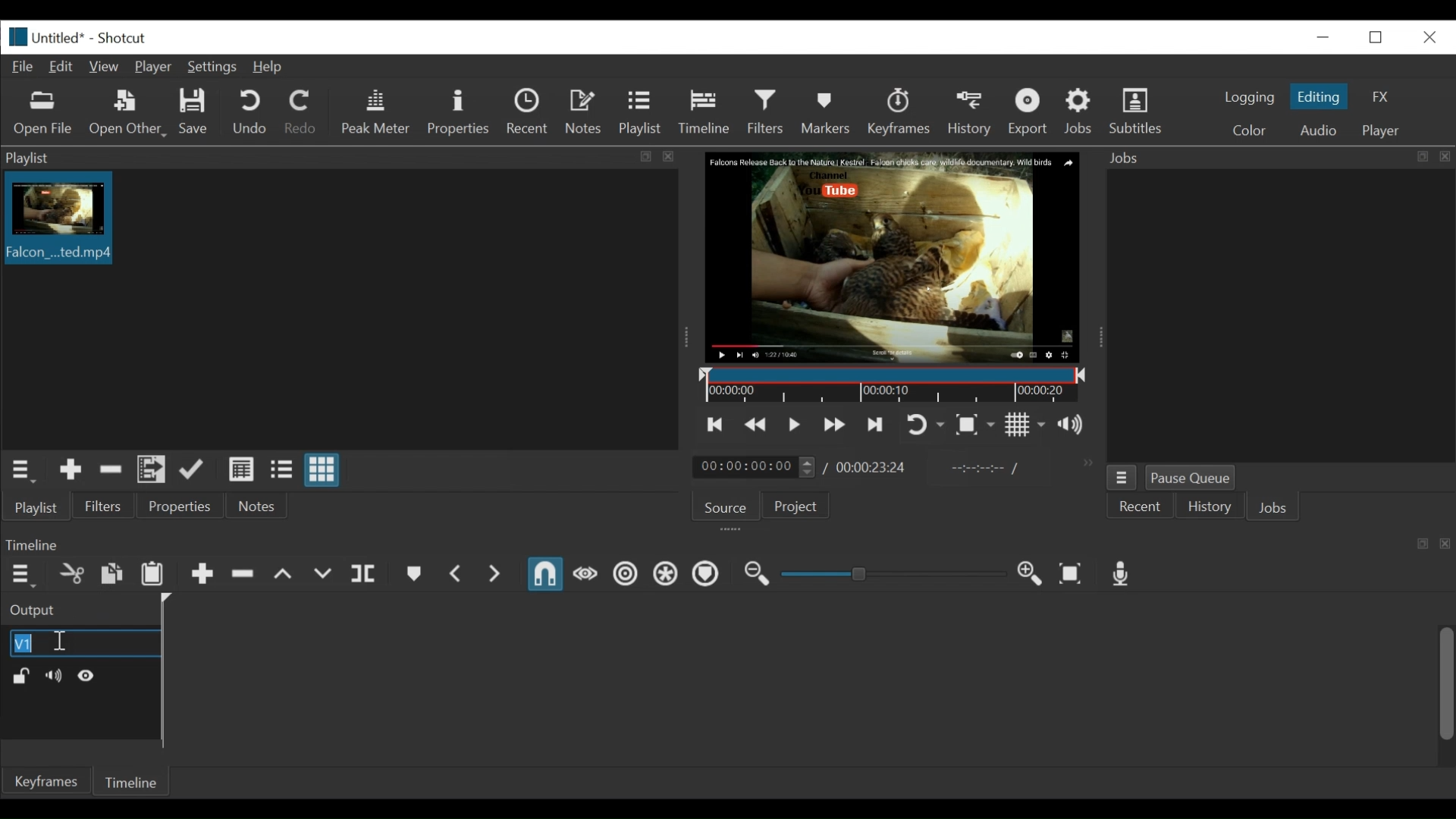 This screenshot has width=1456, height=819. Describe the element at coordinates (767, 114) in the screenshot. I see `Filters` at that location.